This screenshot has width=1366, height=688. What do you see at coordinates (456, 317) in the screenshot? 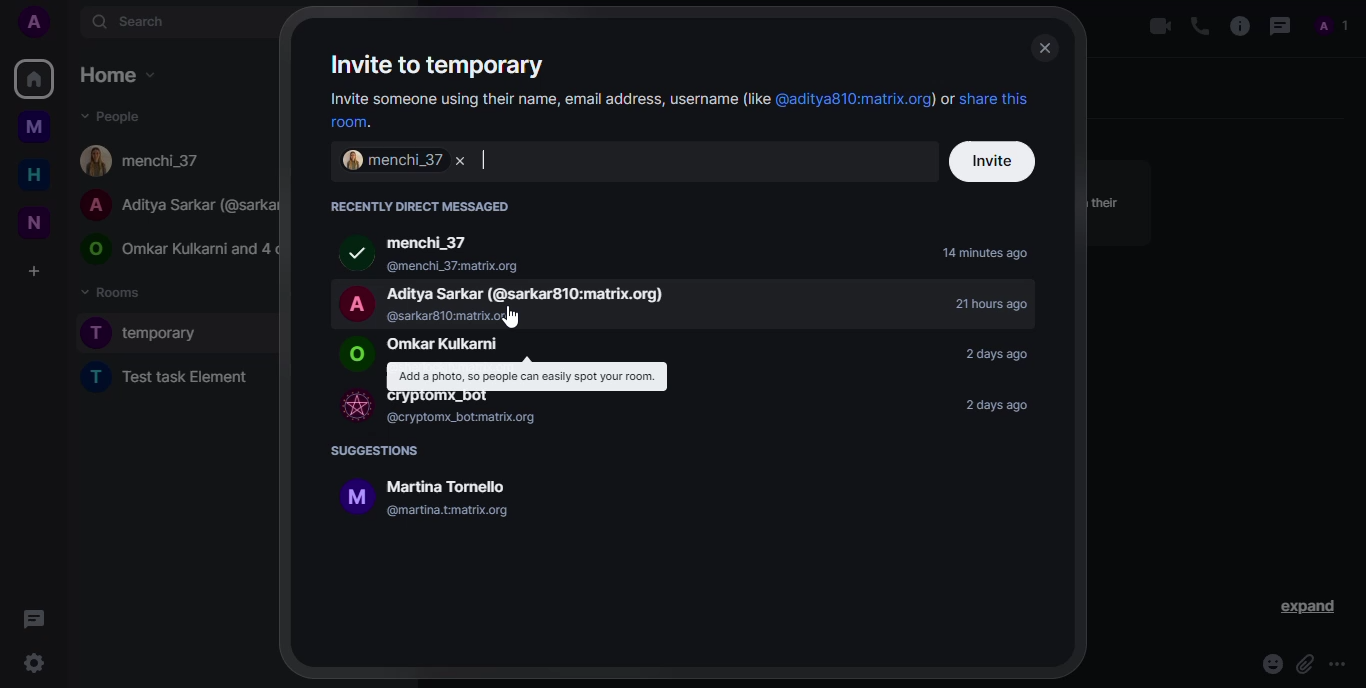
I see `(@sarkarg10:matrix.org` at bounding box center [456, 317].